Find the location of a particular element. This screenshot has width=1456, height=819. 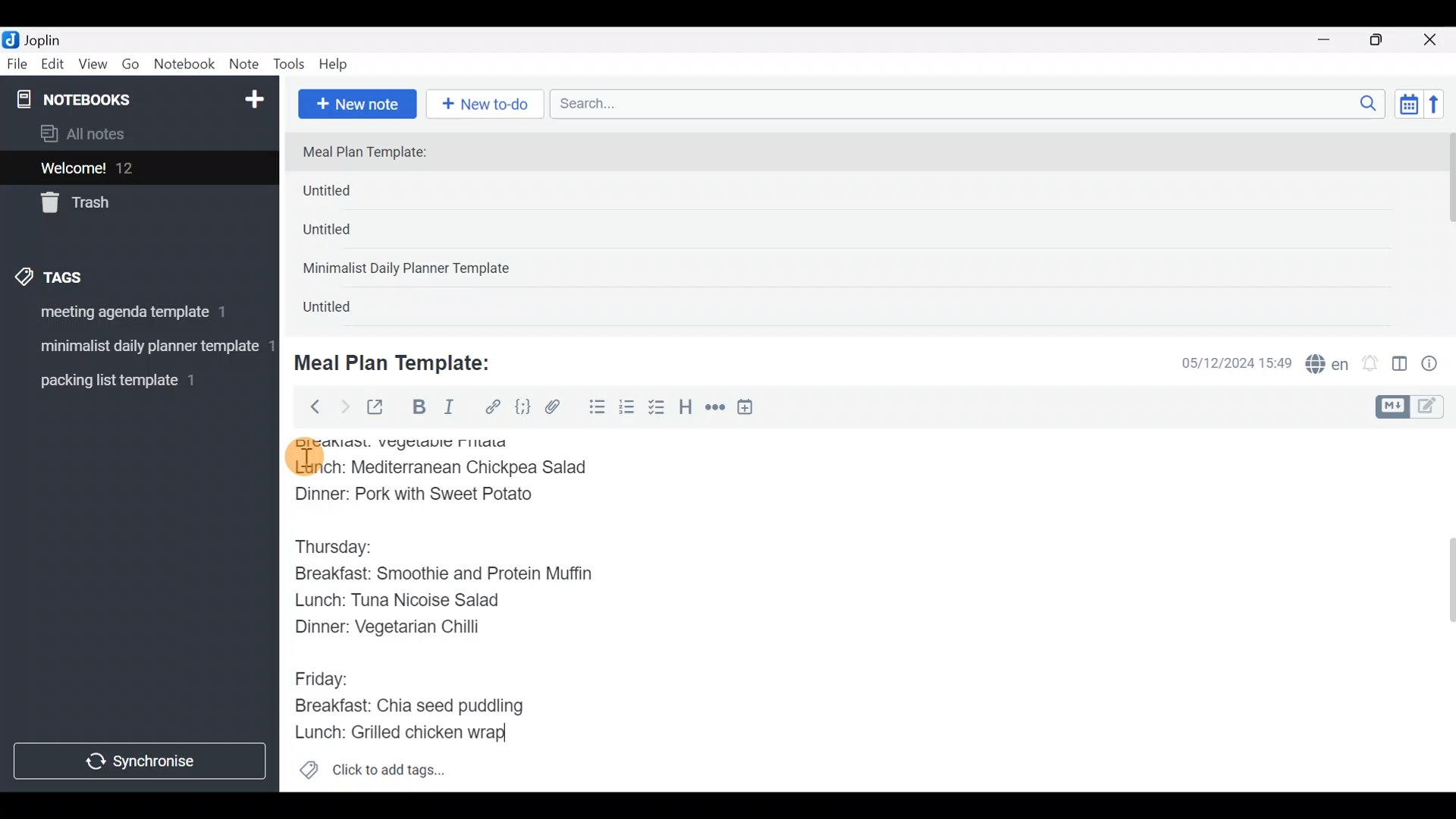

Scroll bar is located at coordinates (1440, 610).